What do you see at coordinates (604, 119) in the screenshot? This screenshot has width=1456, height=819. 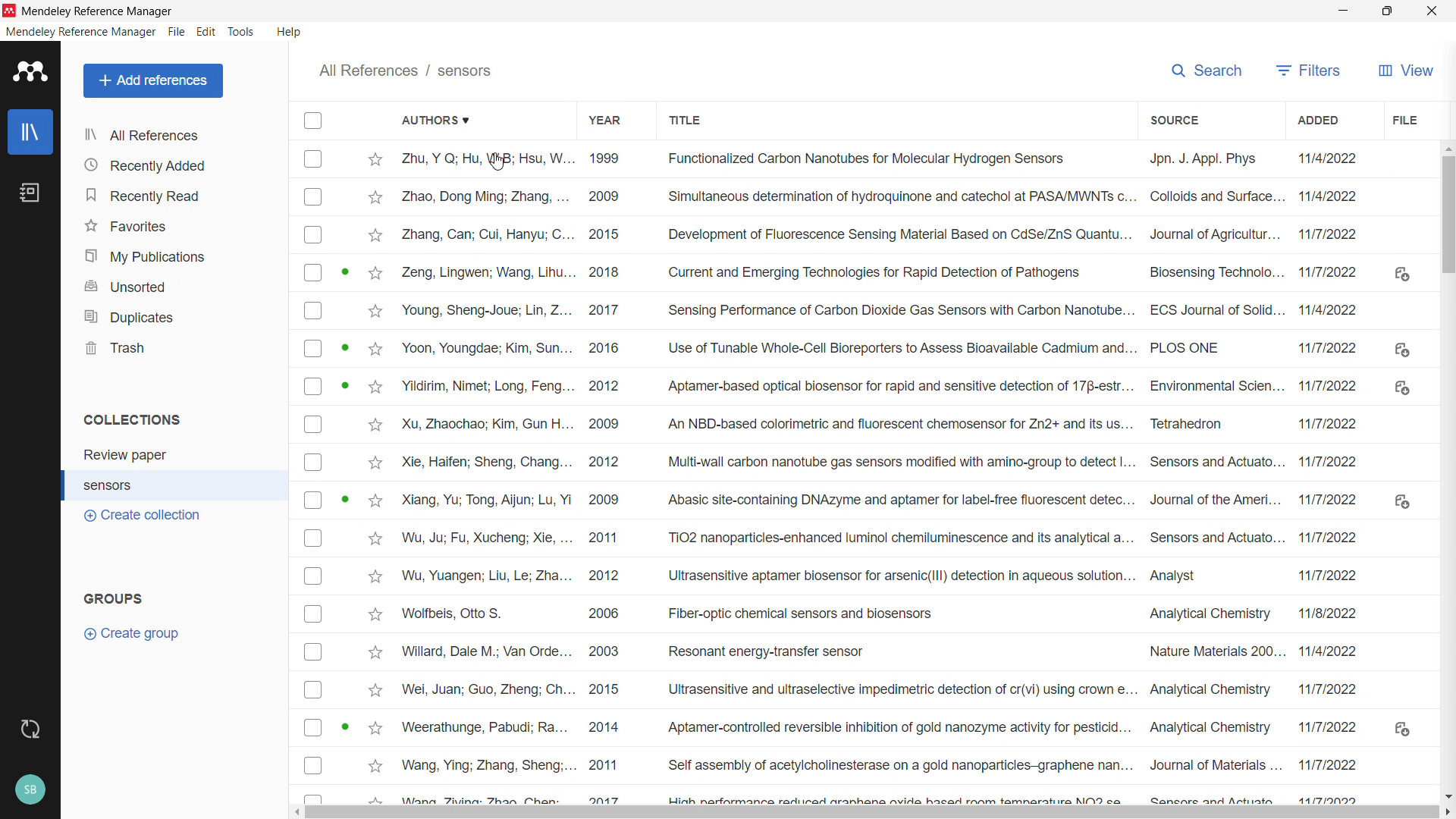 I see `Sort by year of publication ` at bounding box center [604, 119].